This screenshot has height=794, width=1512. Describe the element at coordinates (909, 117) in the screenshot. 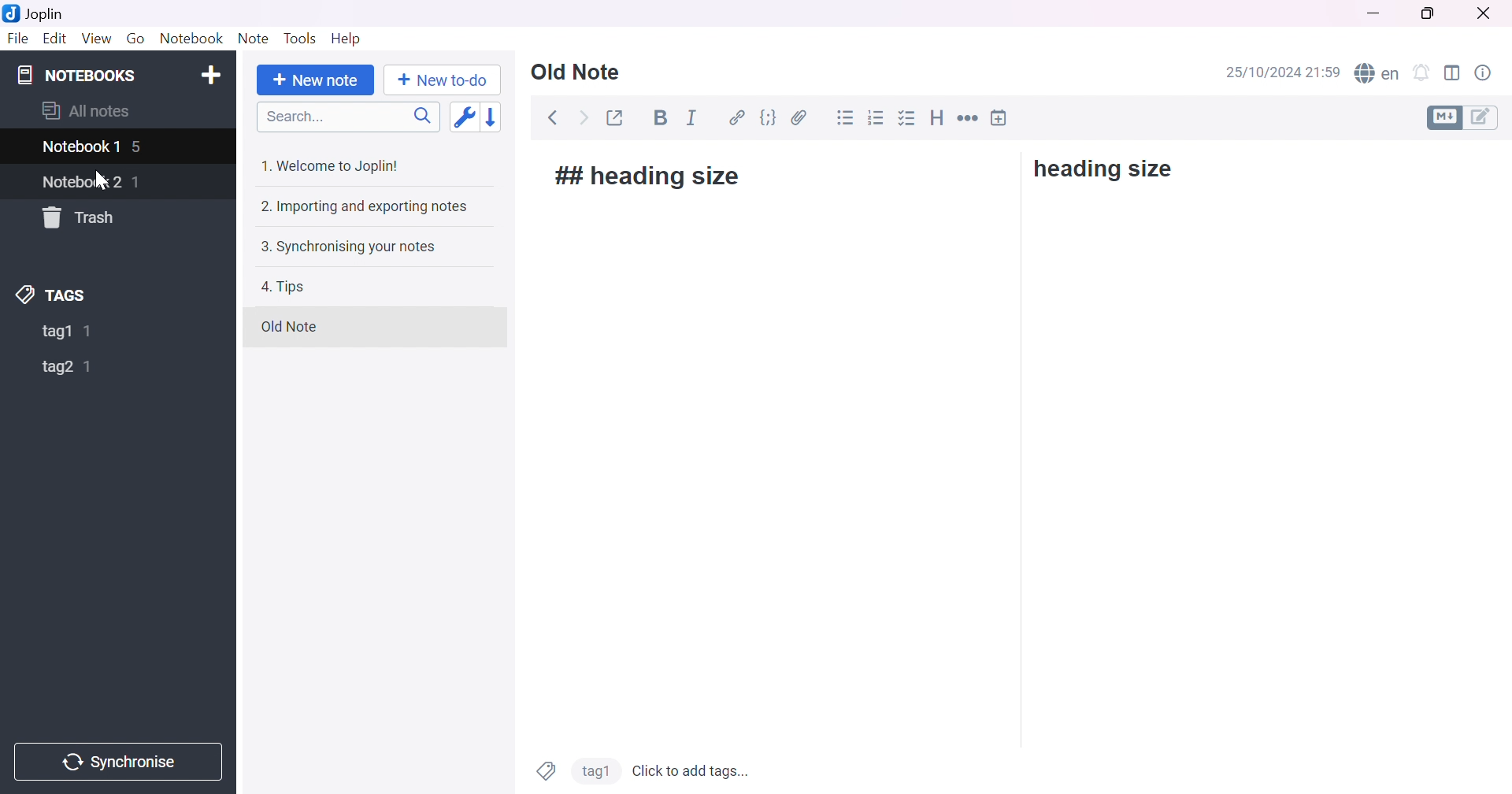

I see `Checkbox` at that location.